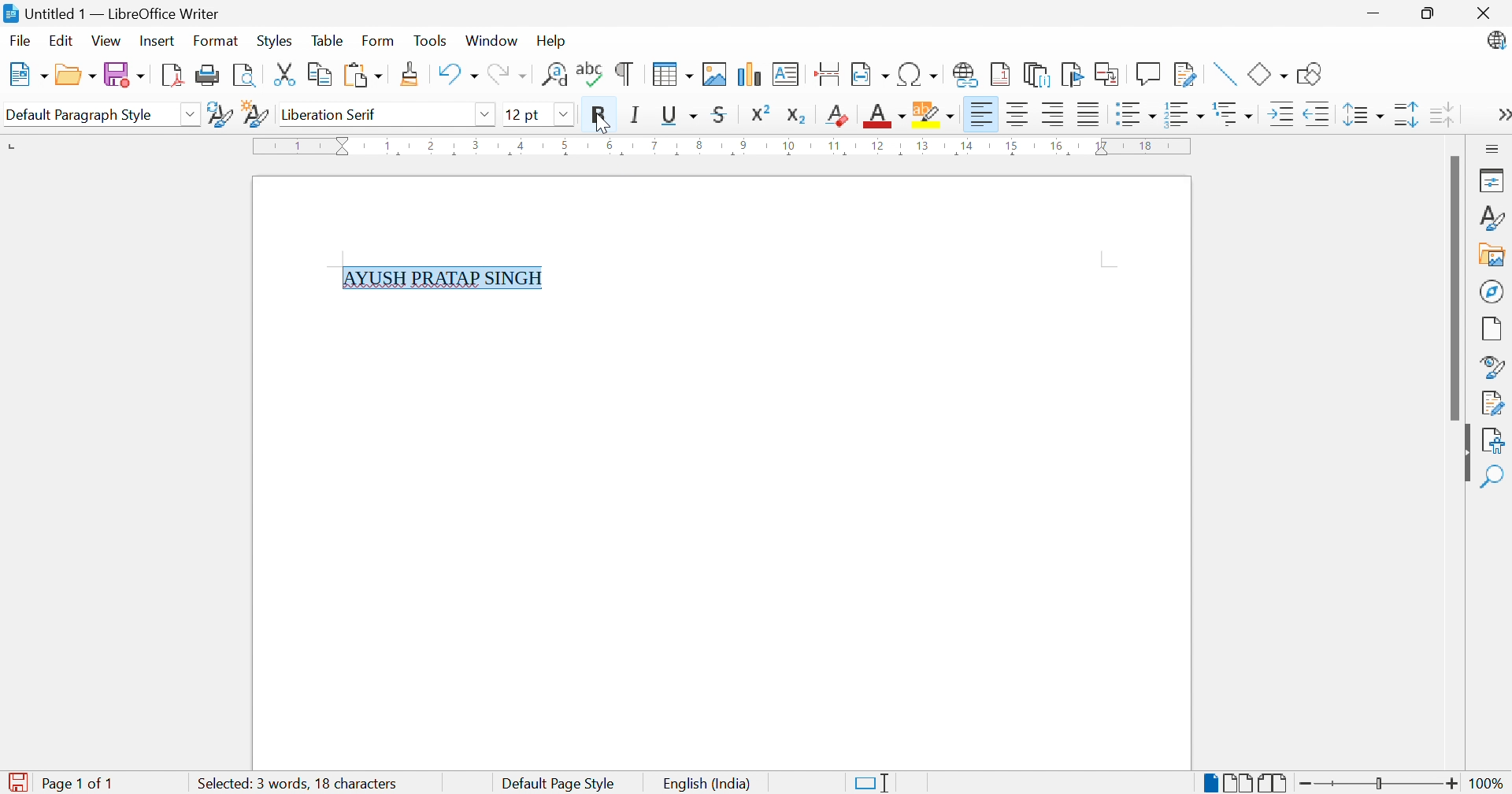 The height and width of the screenshot is (794, 1512). Describe the element at coordinates (1494, 180) in the screenshot. I see `Properties` at that location.